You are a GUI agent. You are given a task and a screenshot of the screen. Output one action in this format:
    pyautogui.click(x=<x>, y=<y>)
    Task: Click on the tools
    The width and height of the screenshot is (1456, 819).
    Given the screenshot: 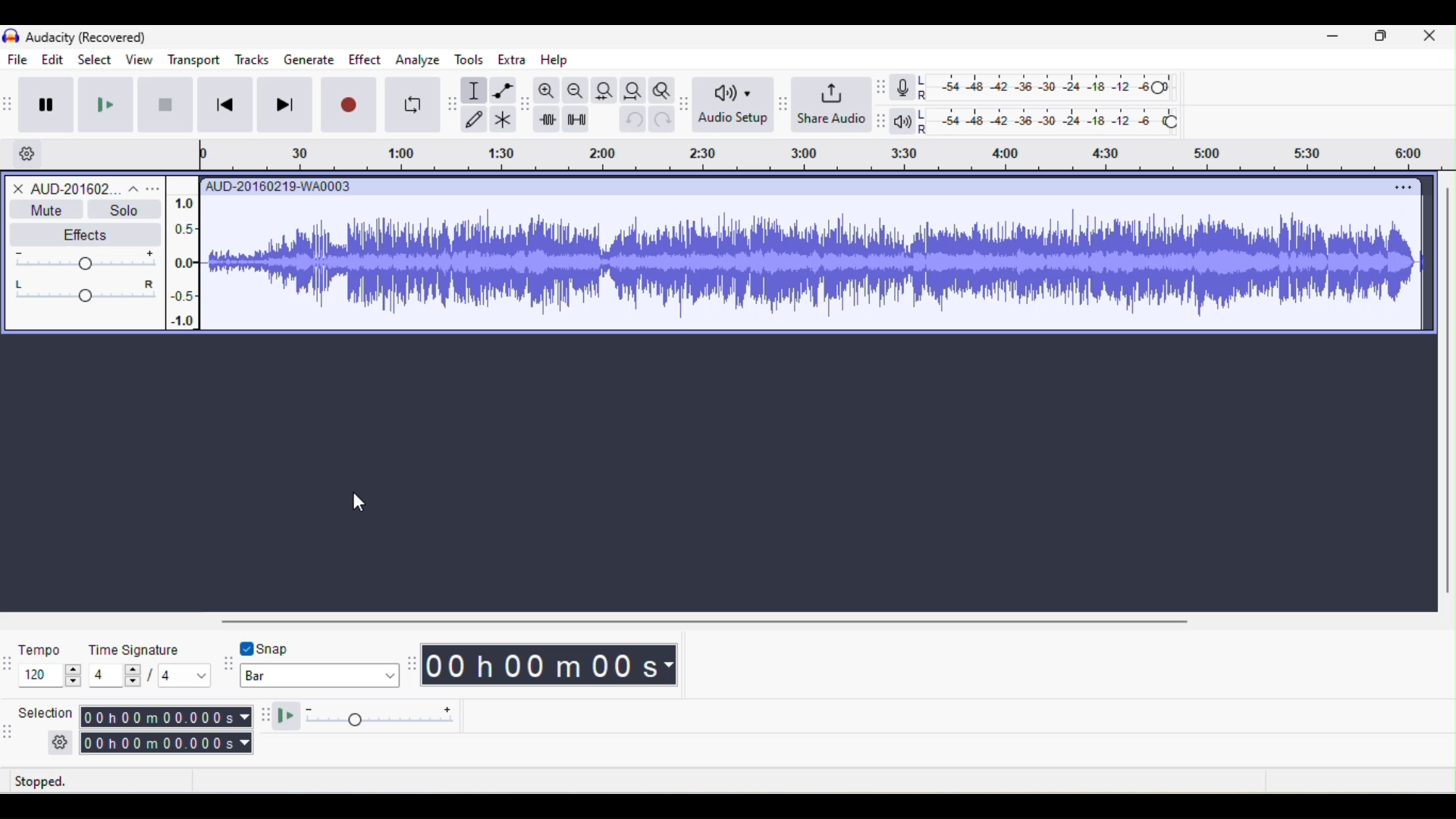 What is the action you would take?
    pyautogui.click(x=474, y=61)
    